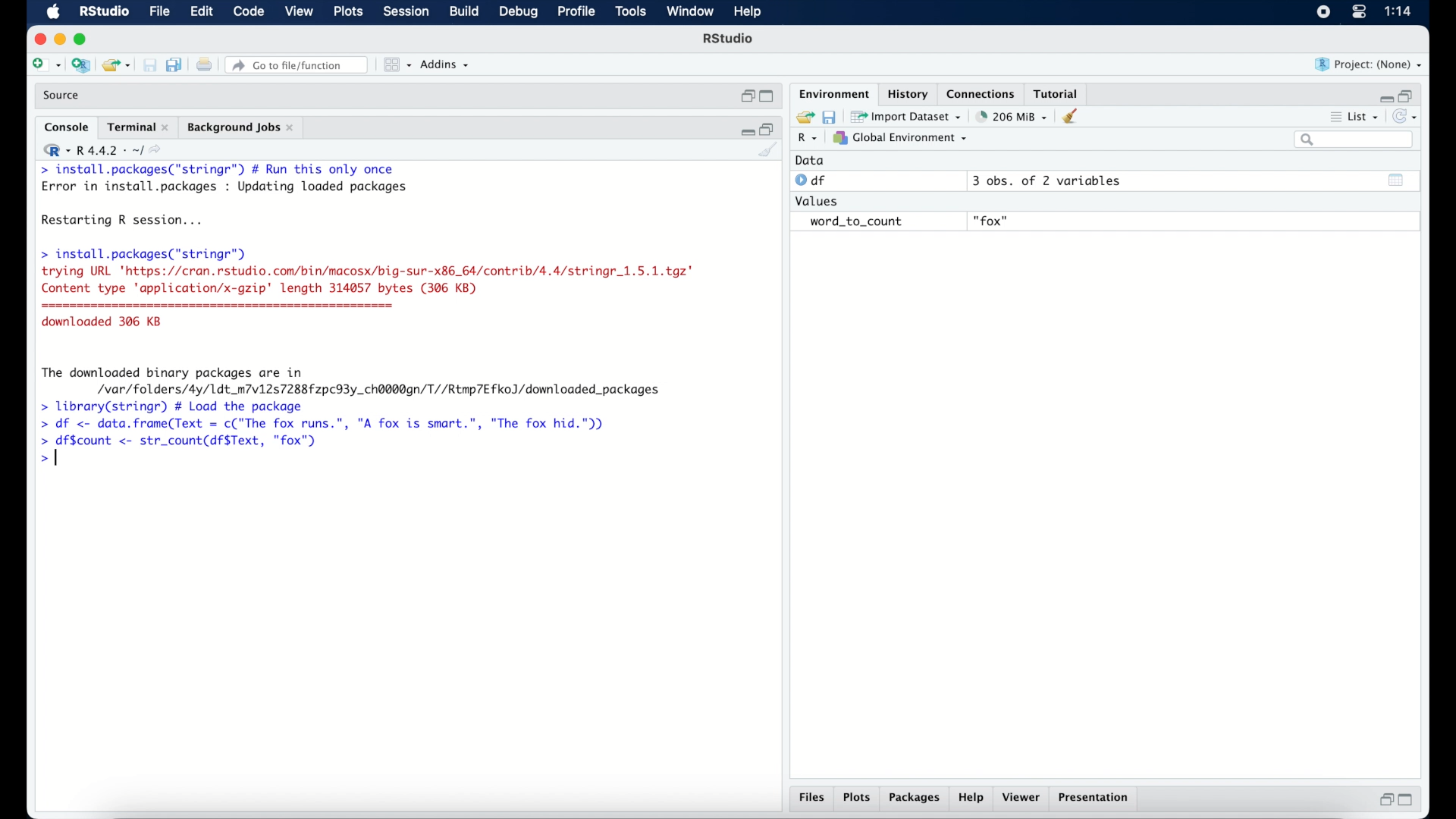 This screenshot has width=1456, height=819. I want to click on minimize, so click(745, 130).